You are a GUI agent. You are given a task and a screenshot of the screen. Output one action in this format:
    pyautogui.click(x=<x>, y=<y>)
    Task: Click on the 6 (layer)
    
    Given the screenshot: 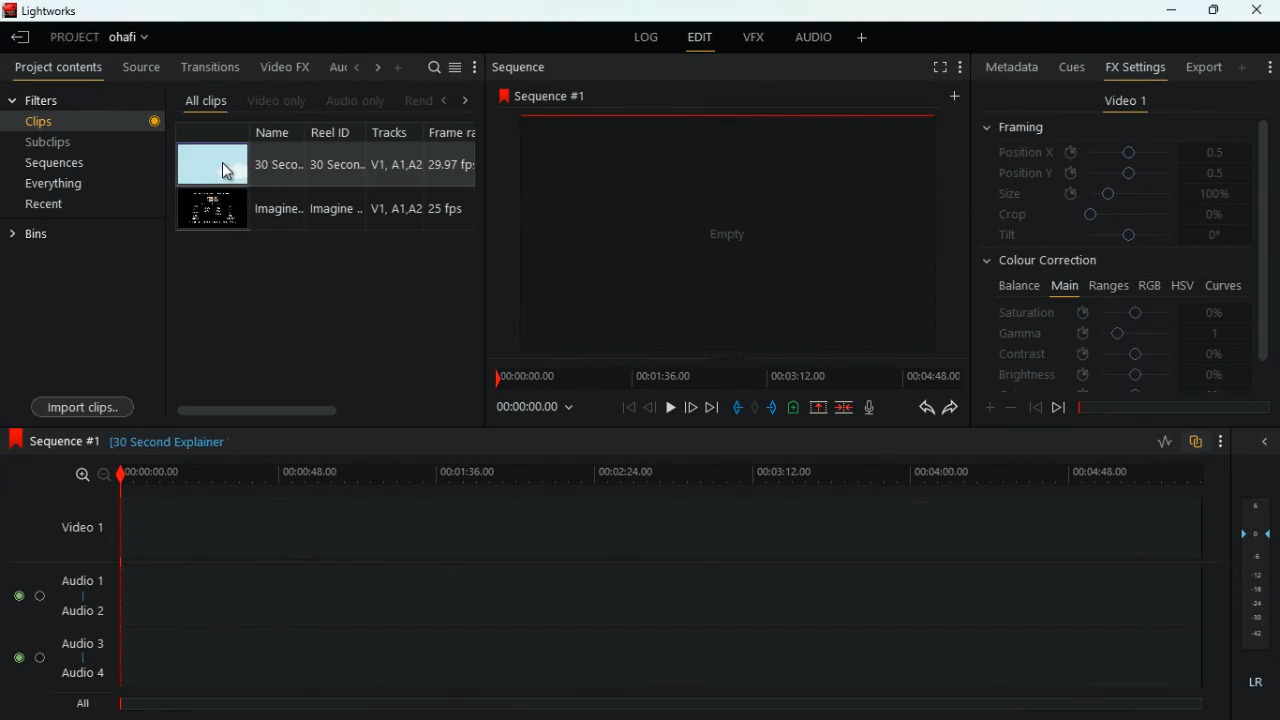 What is the action you would take?
    pyautogui.click(x=1254, y=503)
    